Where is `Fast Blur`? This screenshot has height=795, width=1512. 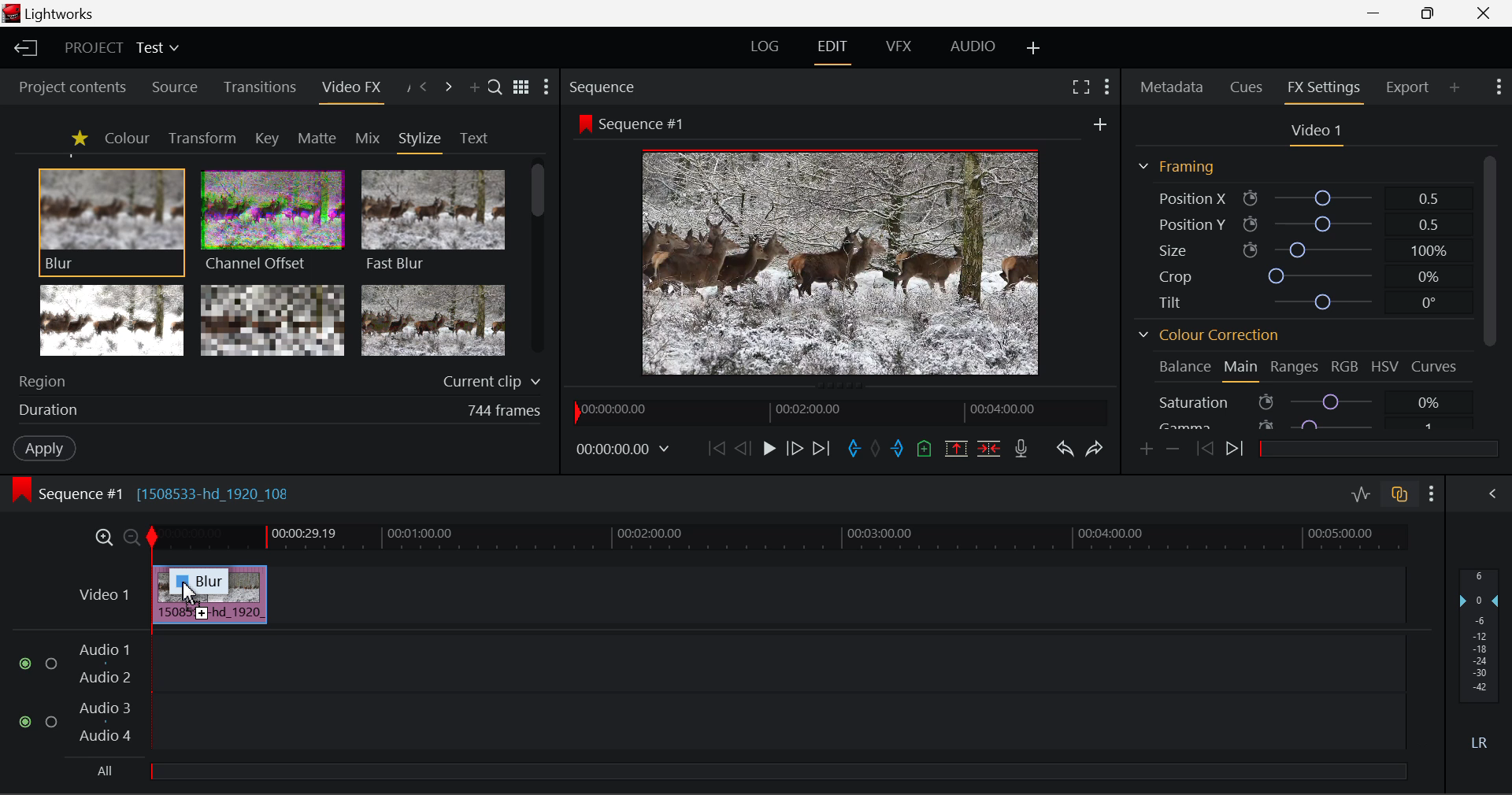
Fast Blur is located at coordinates (431, 218).